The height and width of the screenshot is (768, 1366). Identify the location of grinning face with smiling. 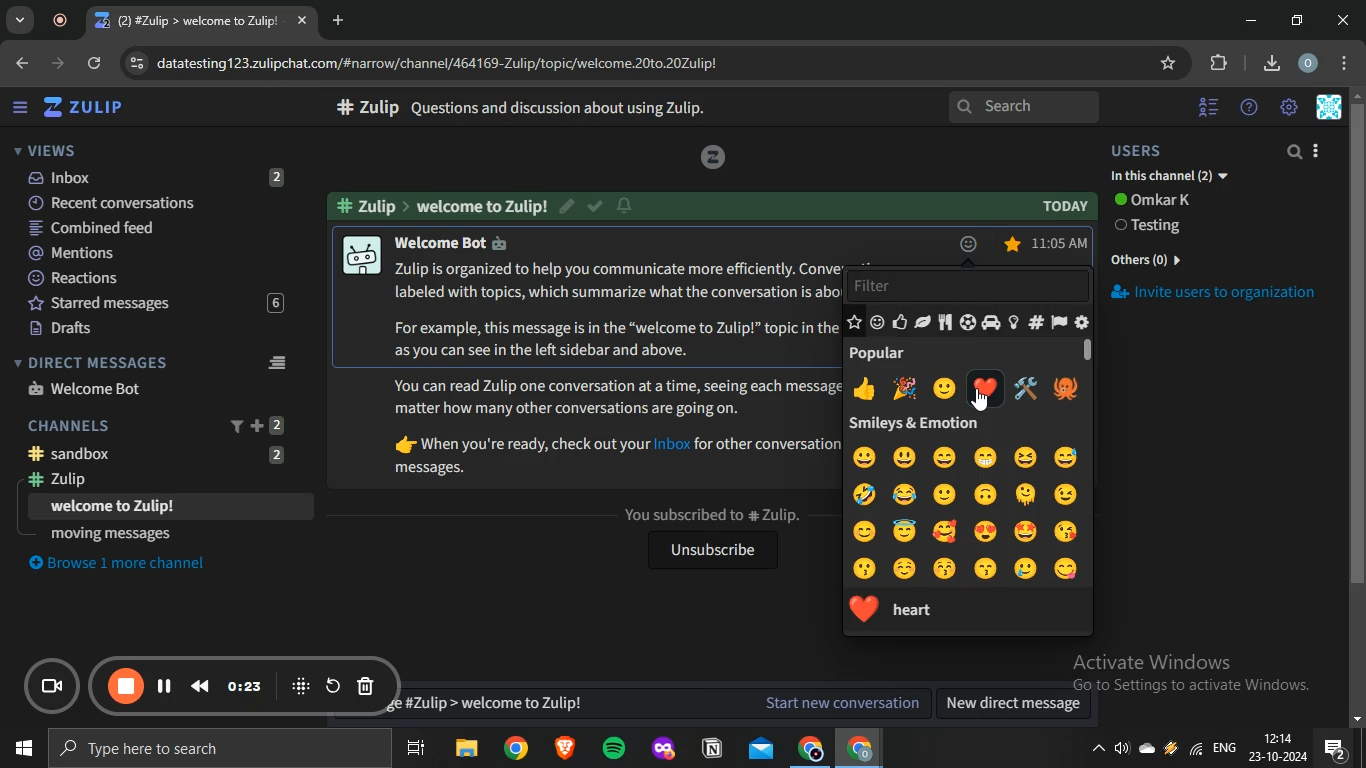
(987, 459).